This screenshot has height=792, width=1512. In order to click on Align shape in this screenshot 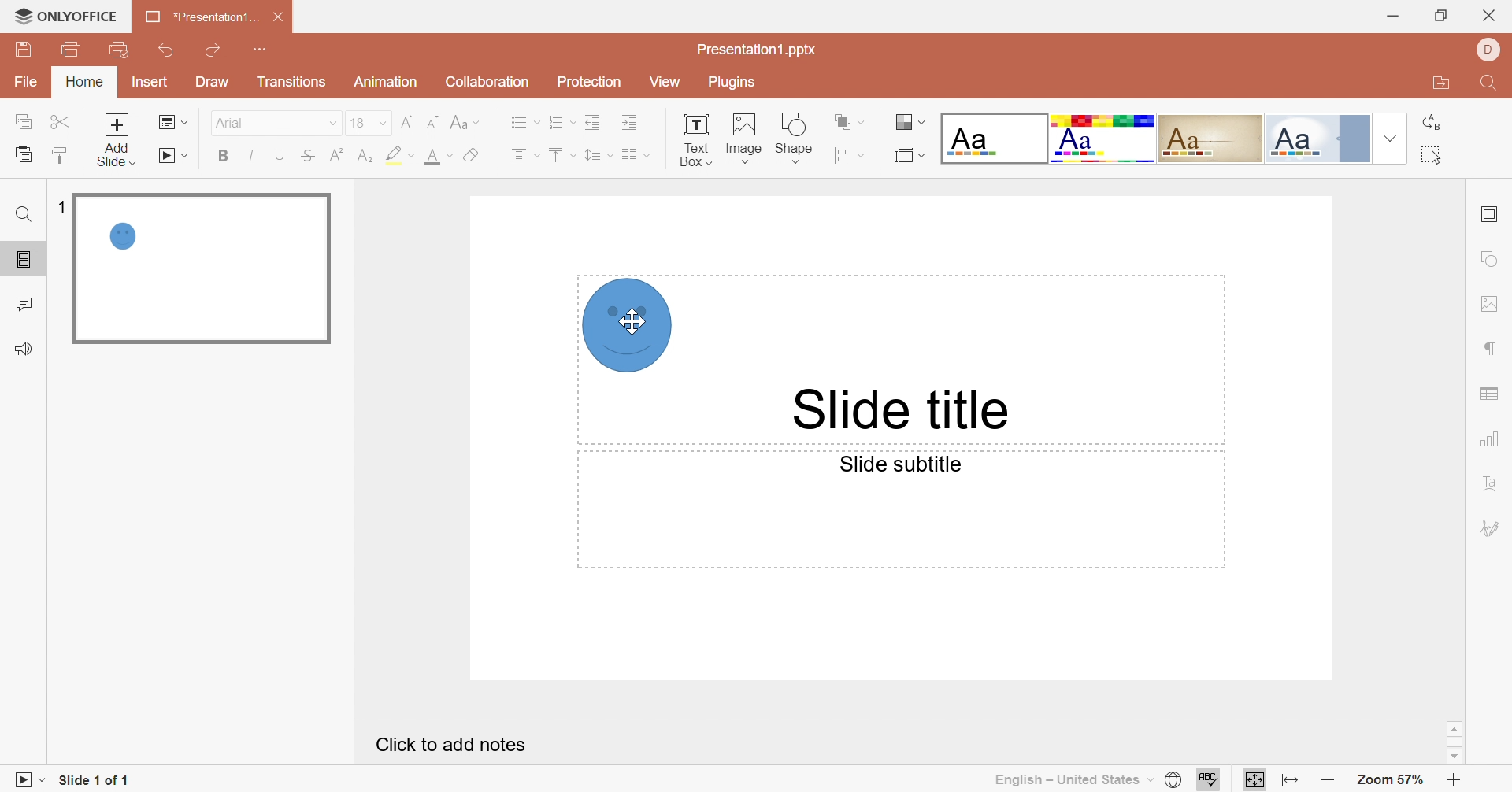, I will do `click(853, 156)`.